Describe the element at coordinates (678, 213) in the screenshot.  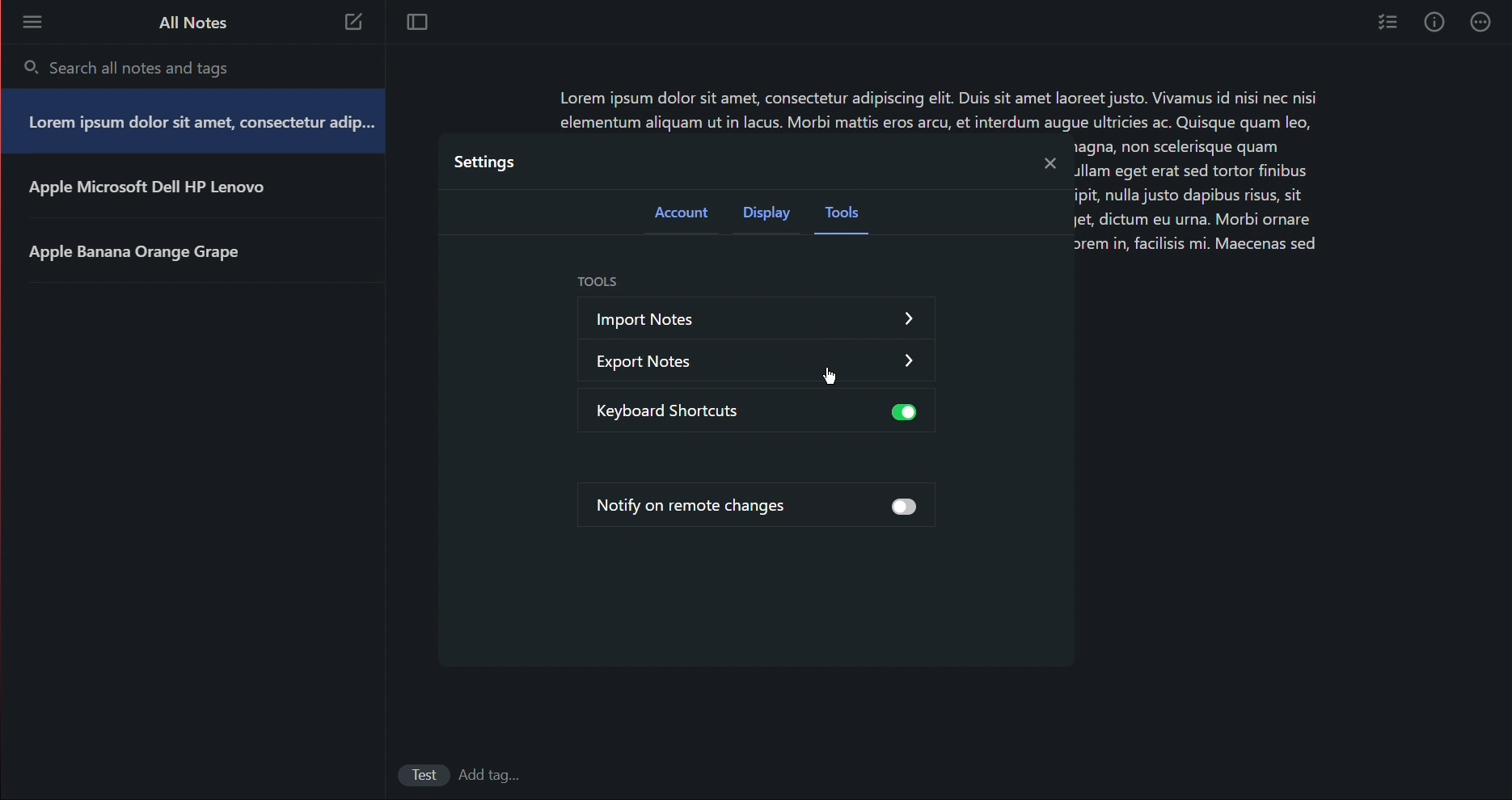
I see `Account` at that location.